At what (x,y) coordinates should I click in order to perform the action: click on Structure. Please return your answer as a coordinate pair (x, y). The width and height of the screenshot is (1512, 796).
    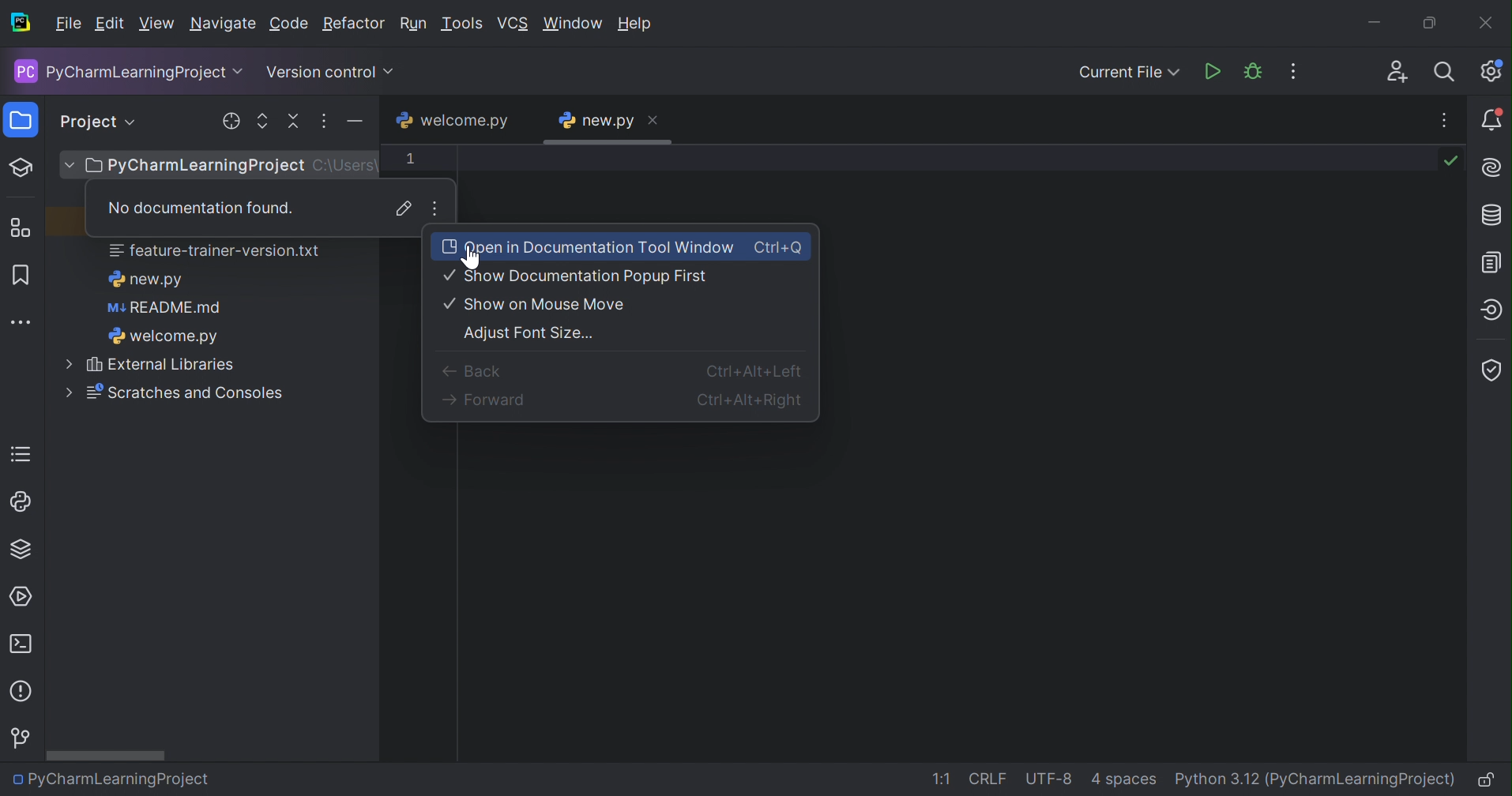
    Looking at the image, I should click on (20, 227).